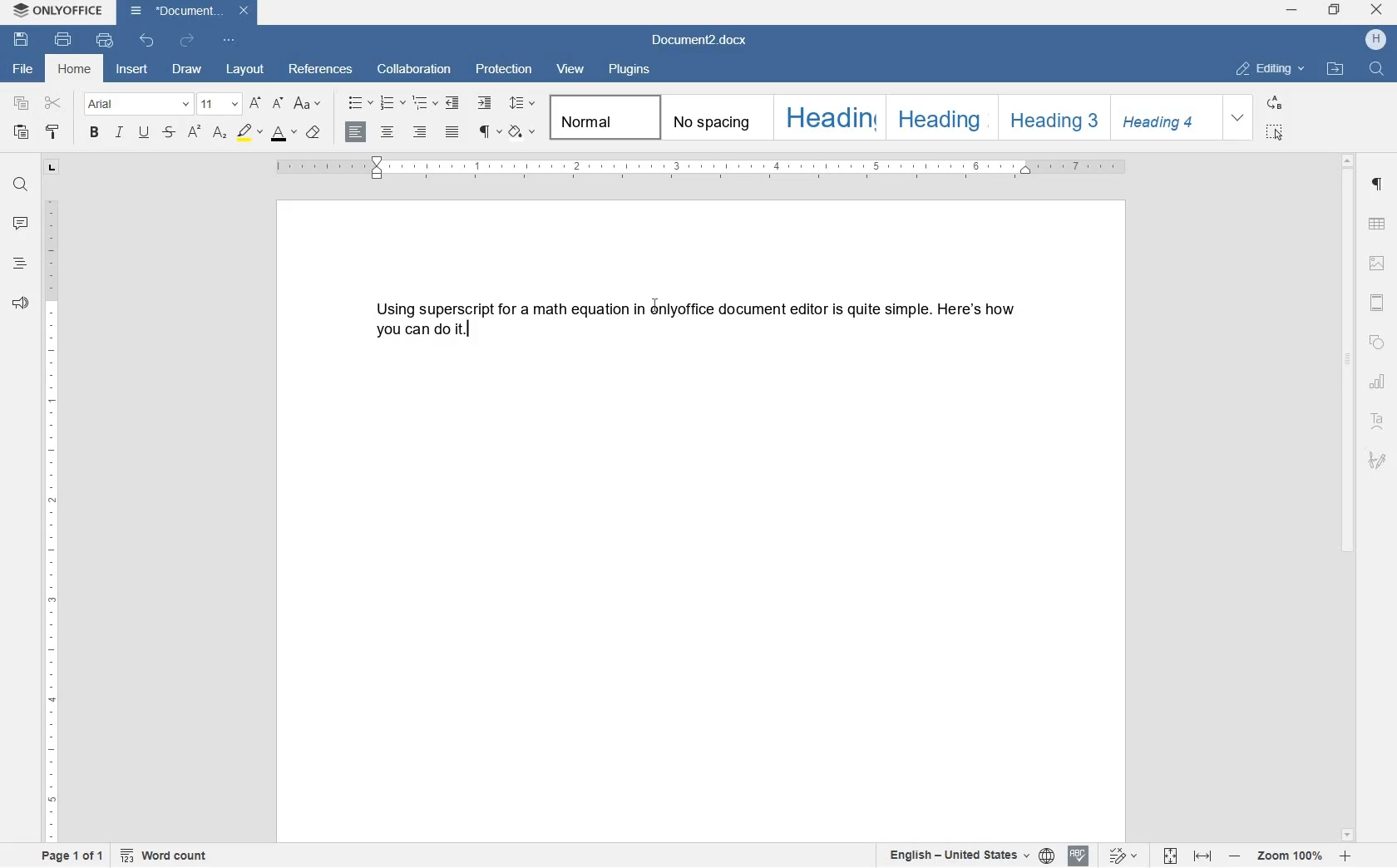 Image resolution: width=1397 pixels, height=868 pixels. I want to click on ruler, so click(52, 523).